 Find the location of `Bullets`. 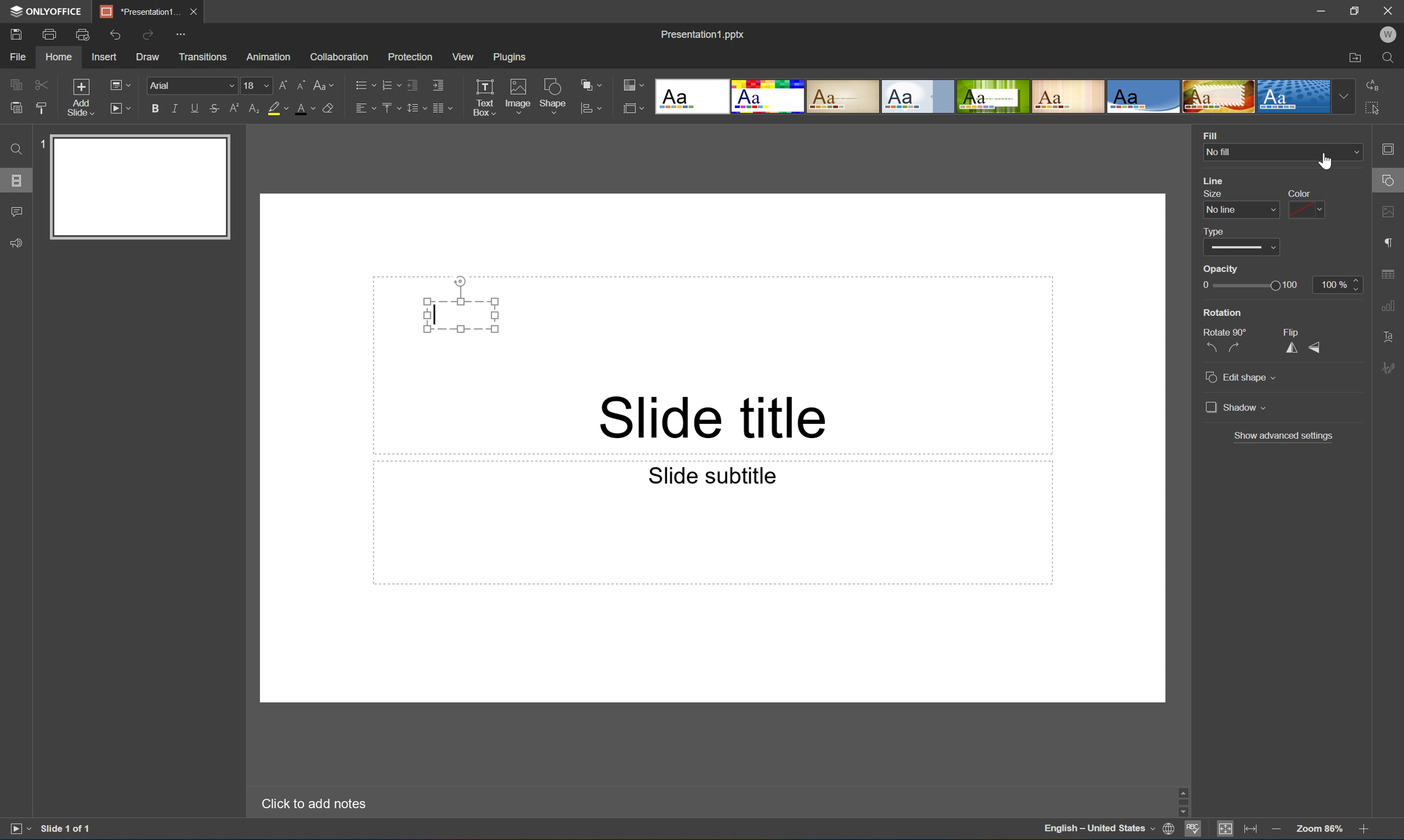

Bullets is located at coordinates (362, 83).